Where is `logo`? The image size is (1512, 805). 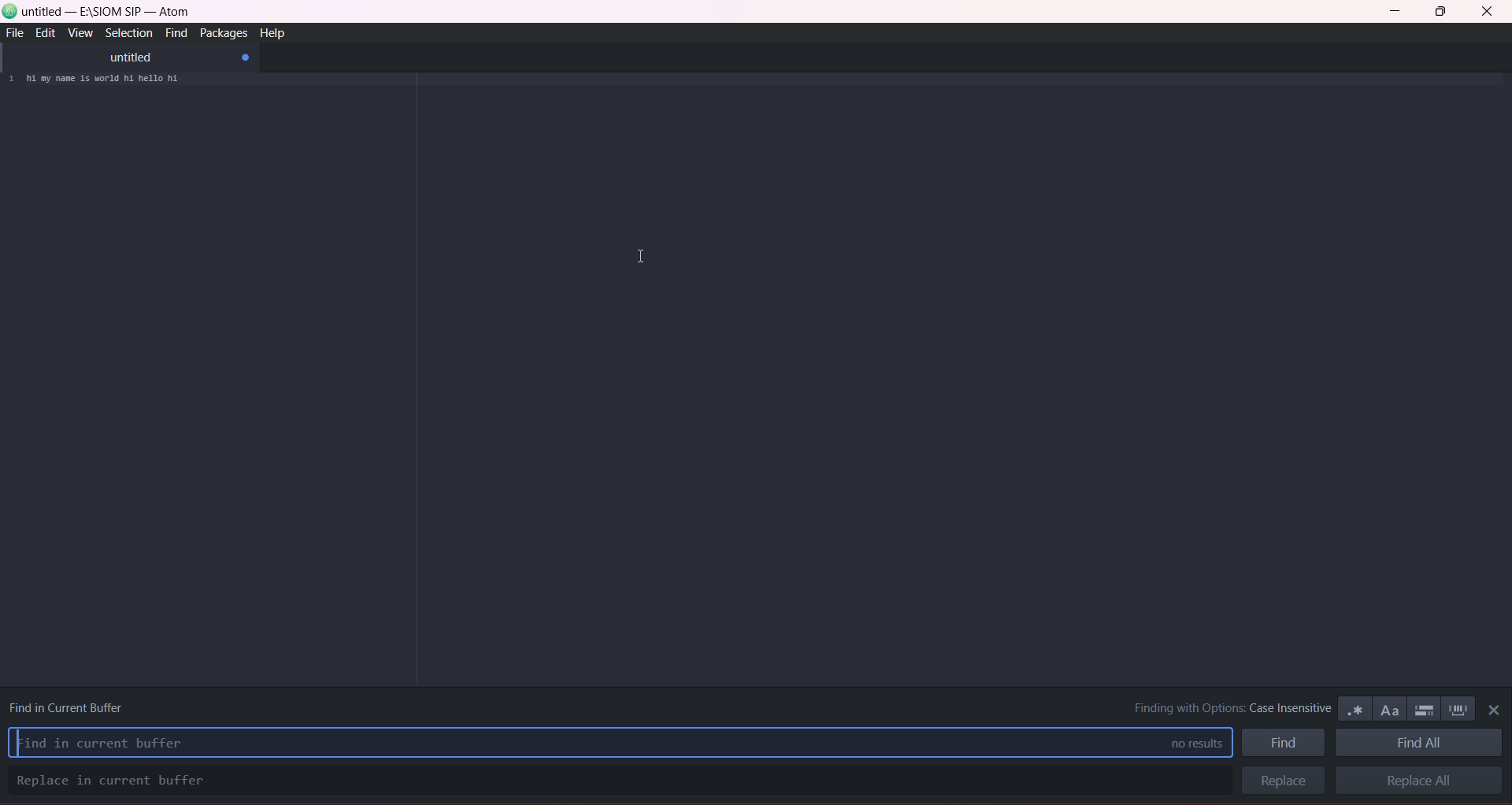
logo is located at coordinates (10, 13).